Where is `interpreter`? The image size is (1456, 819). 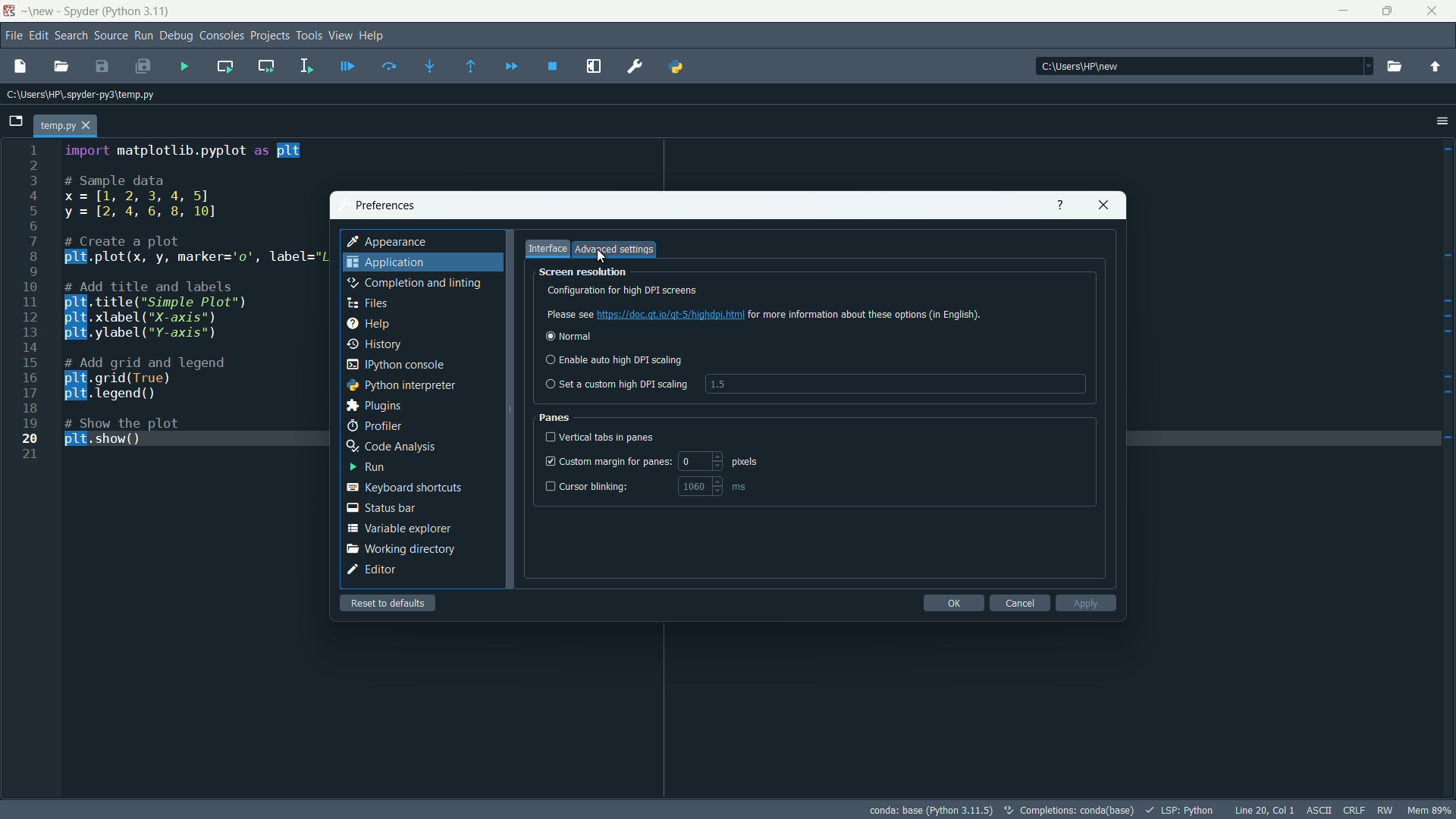 interpreter is located at coordinates (931, 811).